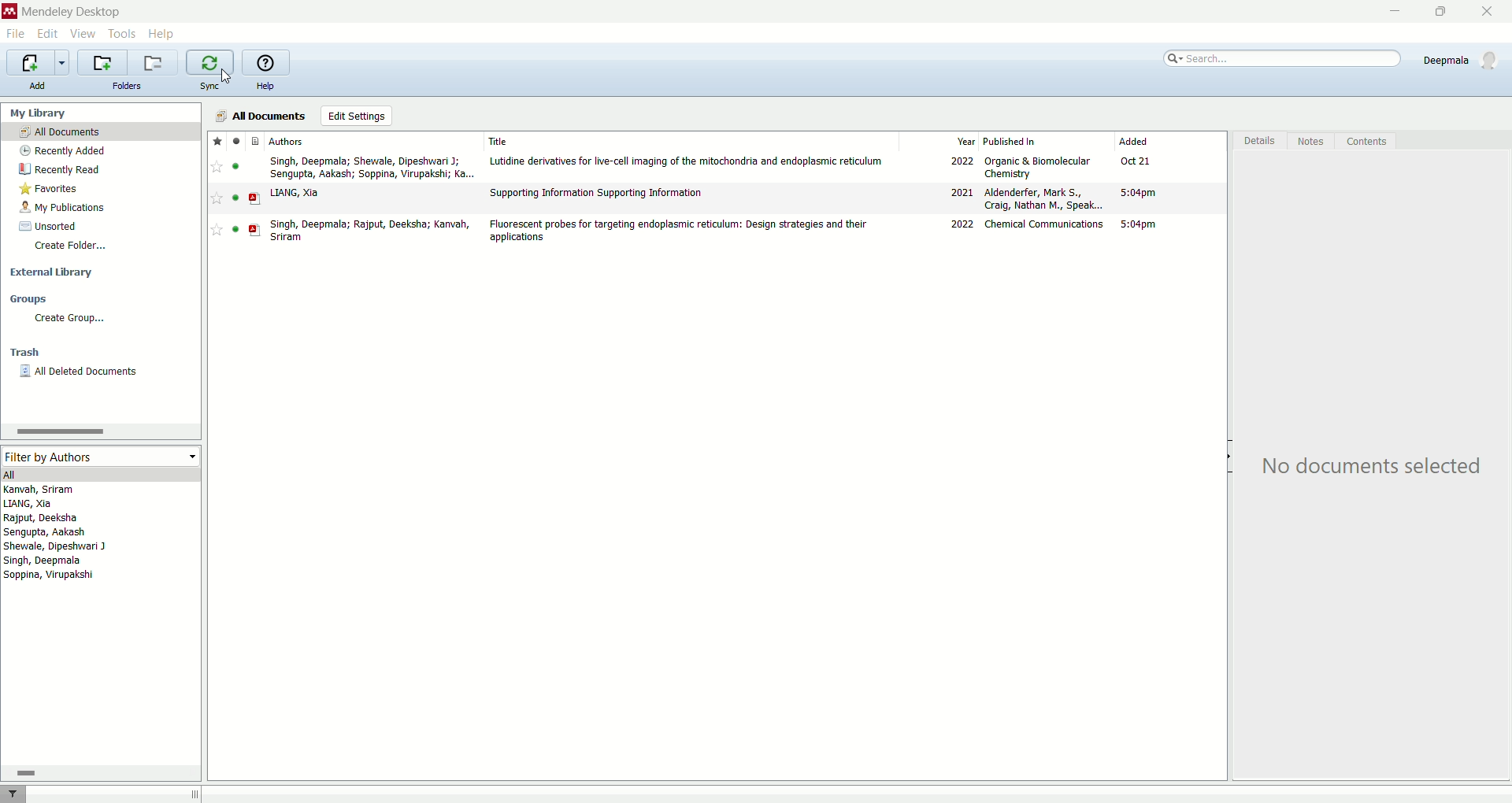  Describe the element at coordinates (961, 161) in the screenshot. I see `2022` at that location.